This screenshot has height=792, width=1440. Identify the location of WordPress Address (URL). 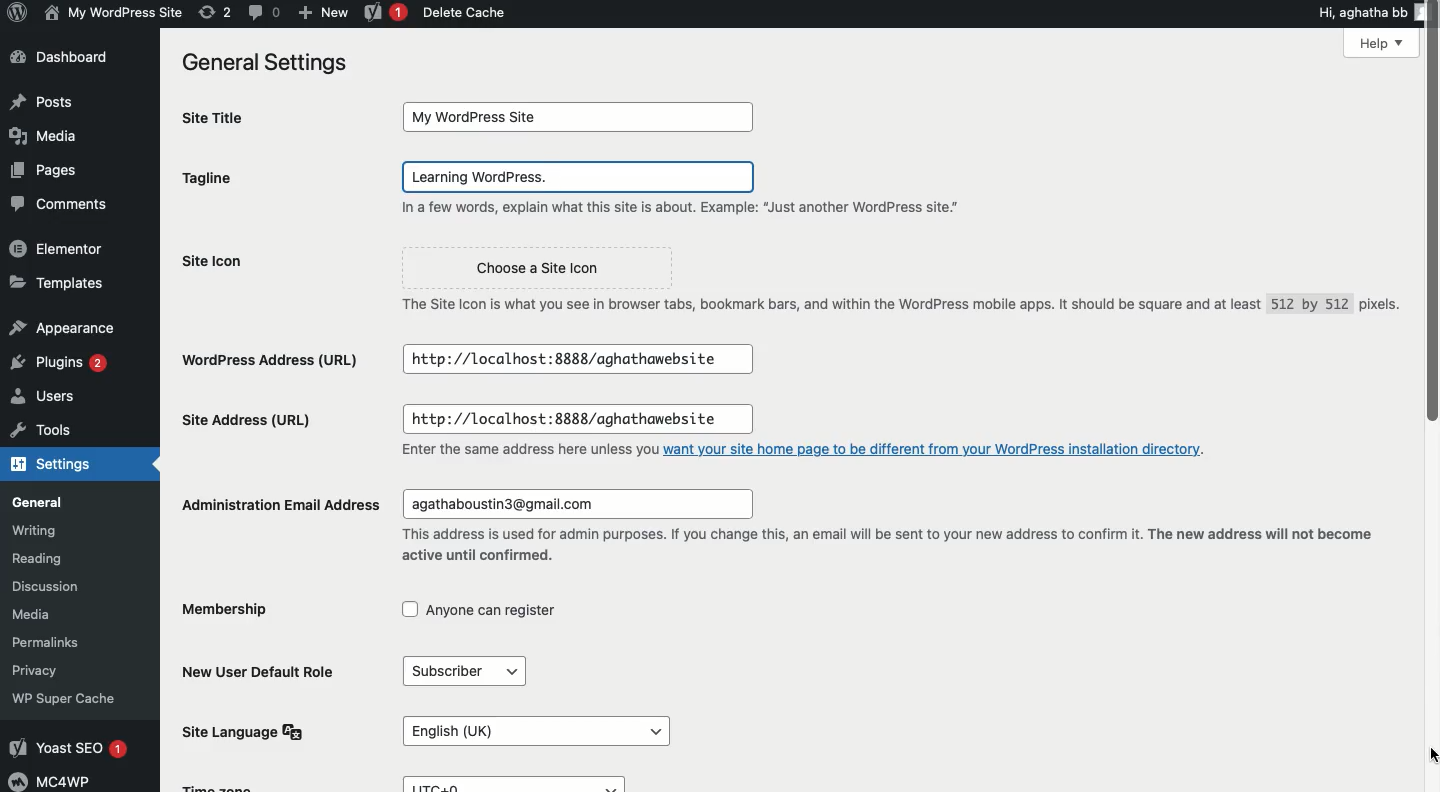
(274, 359).